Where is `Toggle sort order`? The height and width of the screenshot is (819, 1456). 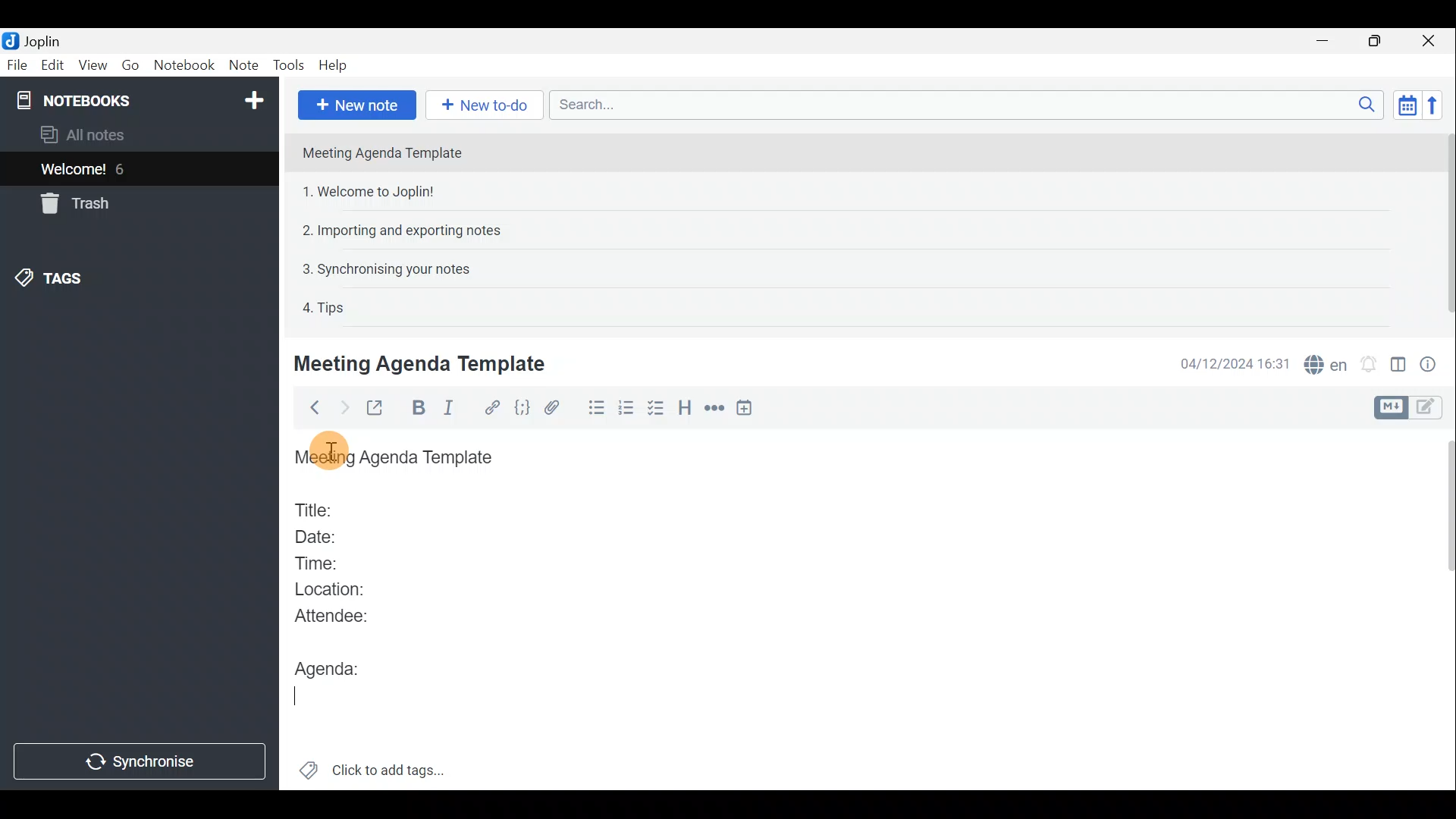 Toggle sort order is located at coordinates (1404, 103).